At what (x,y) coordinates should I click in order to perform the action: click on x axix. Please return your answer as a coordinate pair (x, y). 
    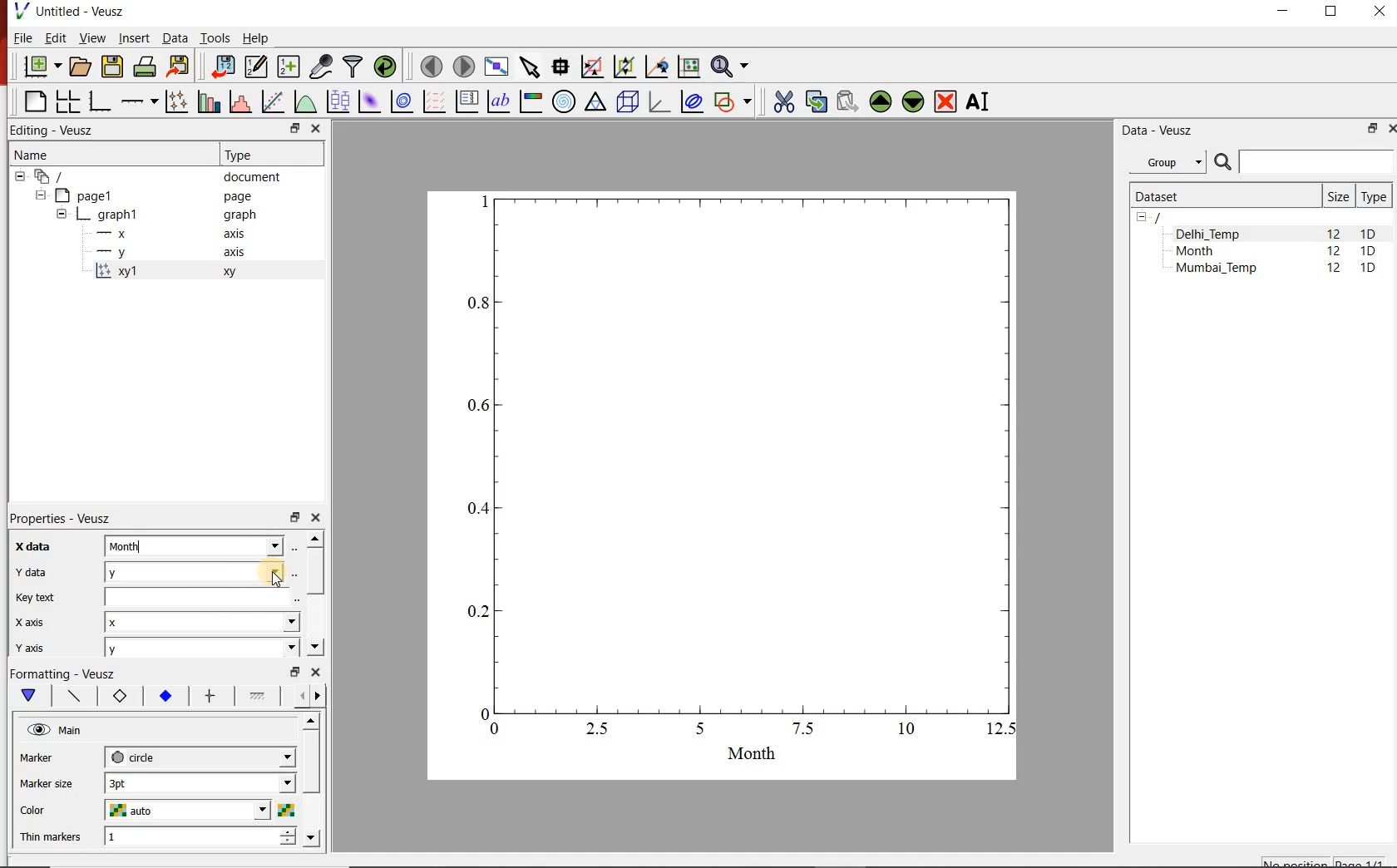
    Looking at the image, I should click on (26, 620).